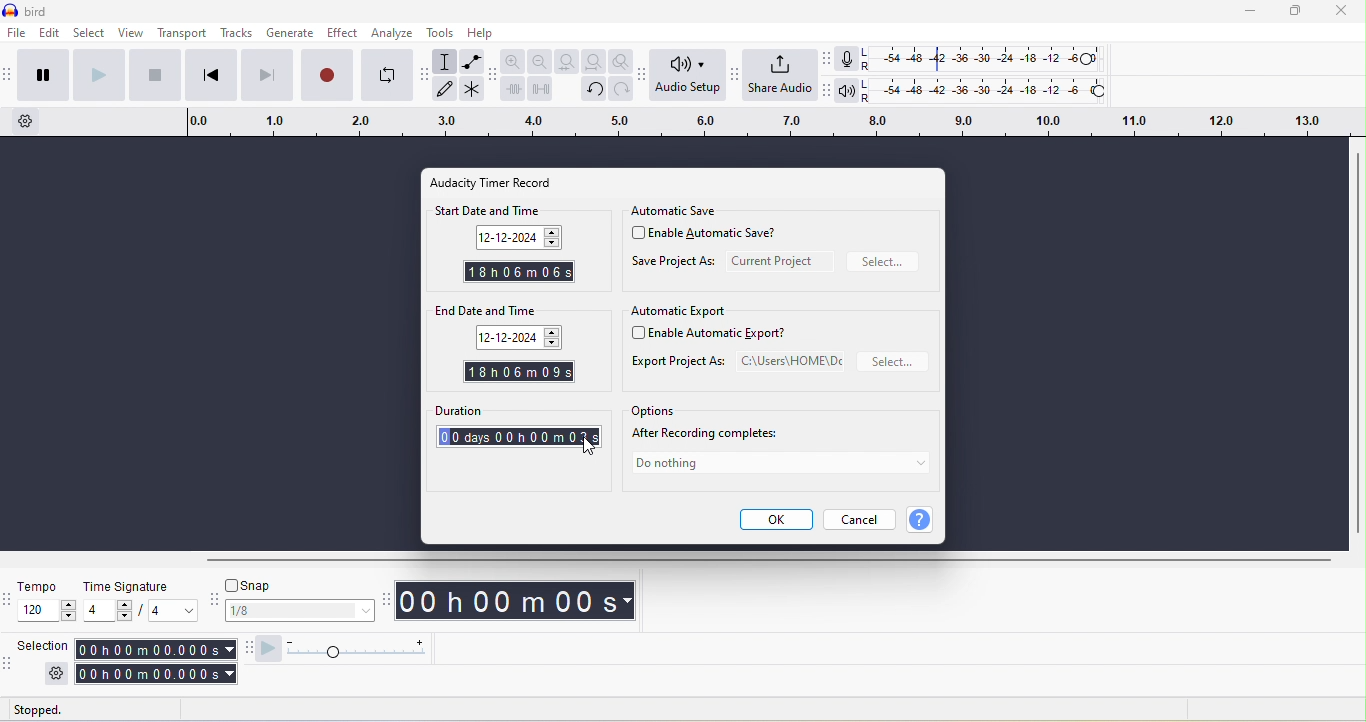  What do you see at coordinates (847, 94) in the screenshot?
I see `playback meter` at bounding box center [847, 94].